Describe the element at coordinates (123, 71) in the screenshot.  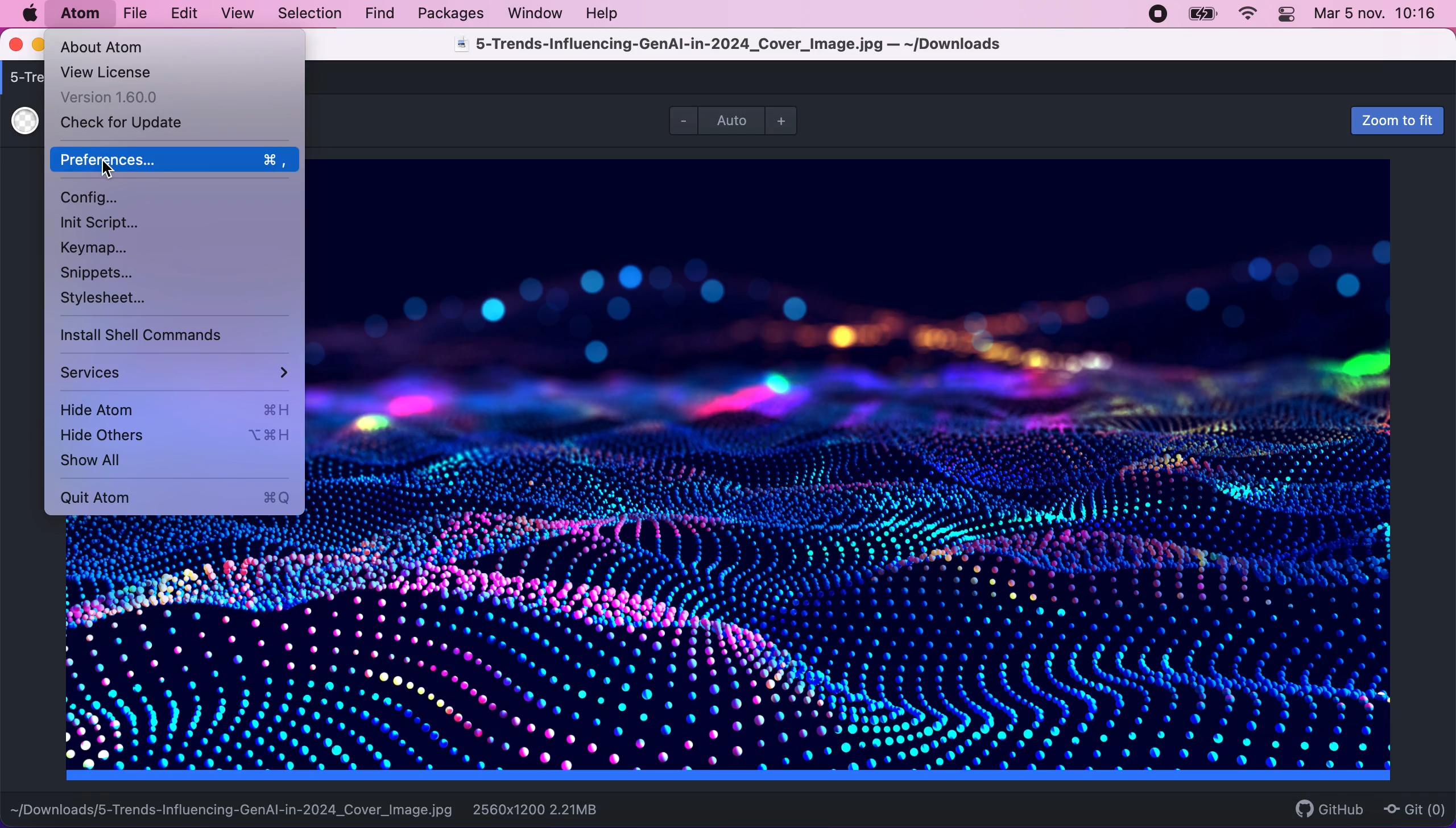
I see `view license` at that location.